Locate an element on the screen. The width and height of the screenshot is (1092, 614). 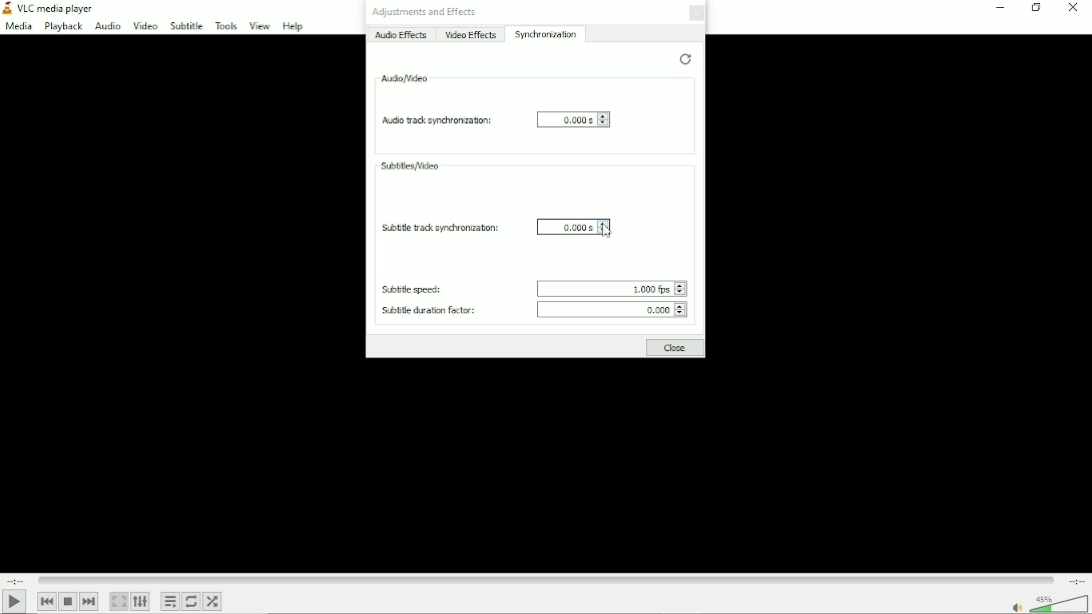
play is located at coordinates (14, 601).